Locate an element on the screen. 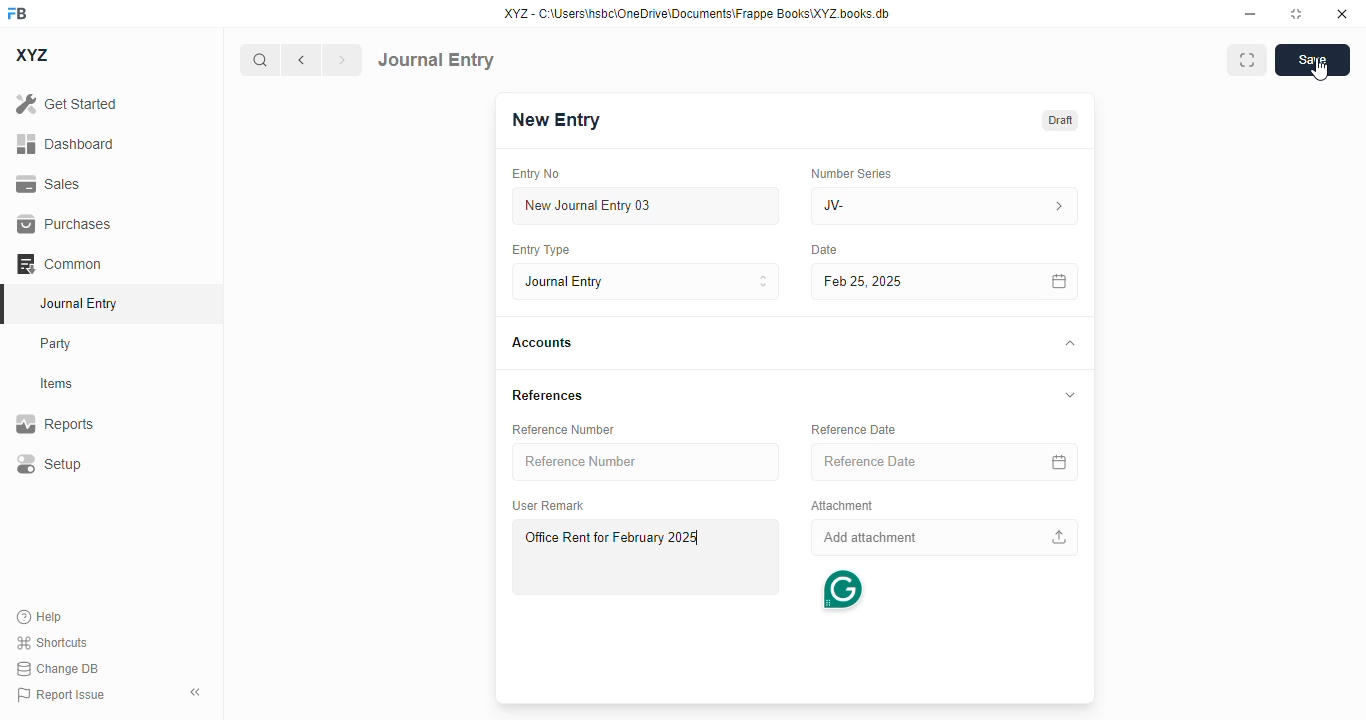 This screenshot has height=720, width=1366. report issue is located at coordinates (61, 695).